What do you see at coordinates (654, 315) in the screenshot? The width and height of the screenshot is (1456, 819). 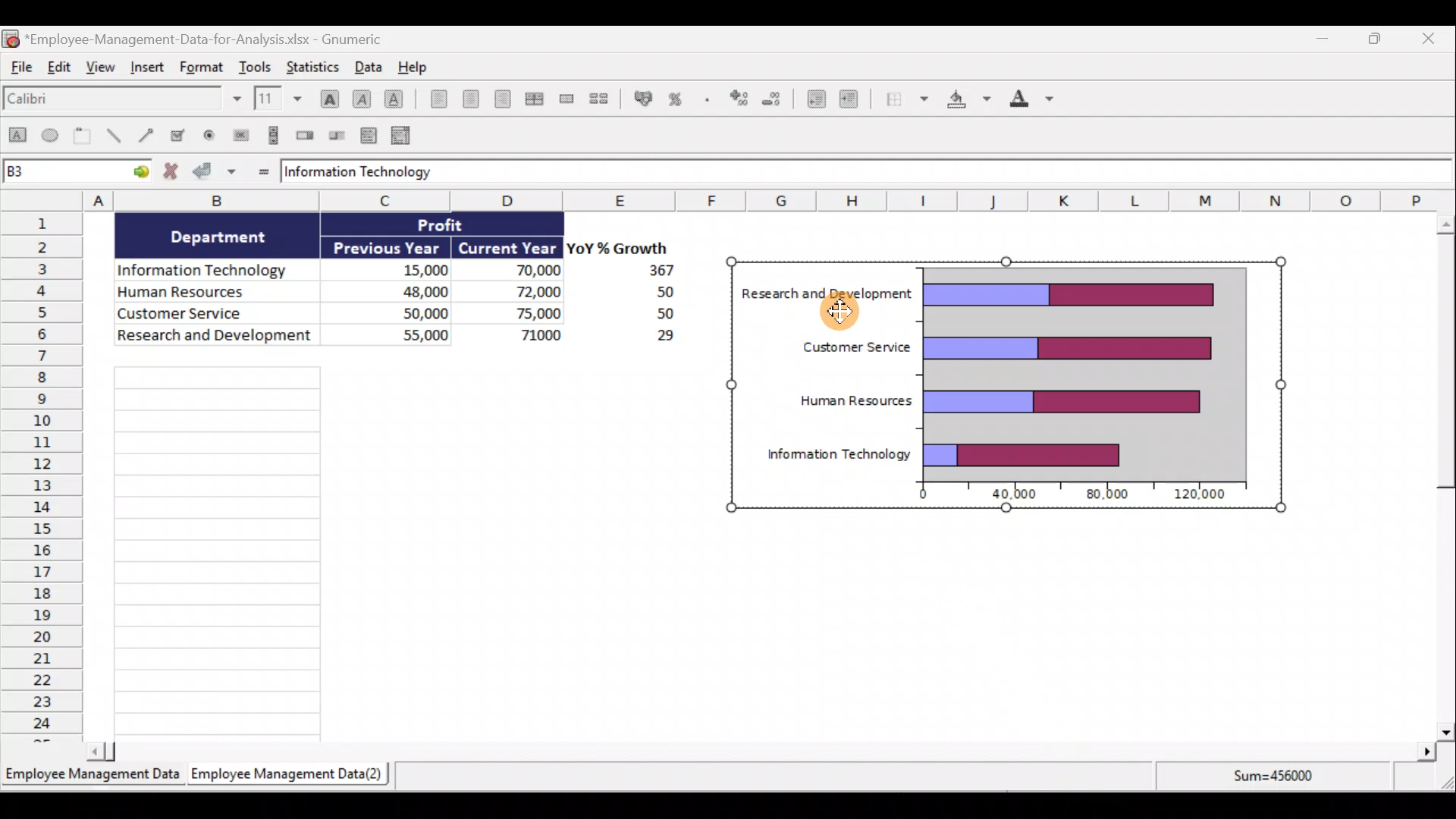 I see `50` at bounding box center [654, 315].